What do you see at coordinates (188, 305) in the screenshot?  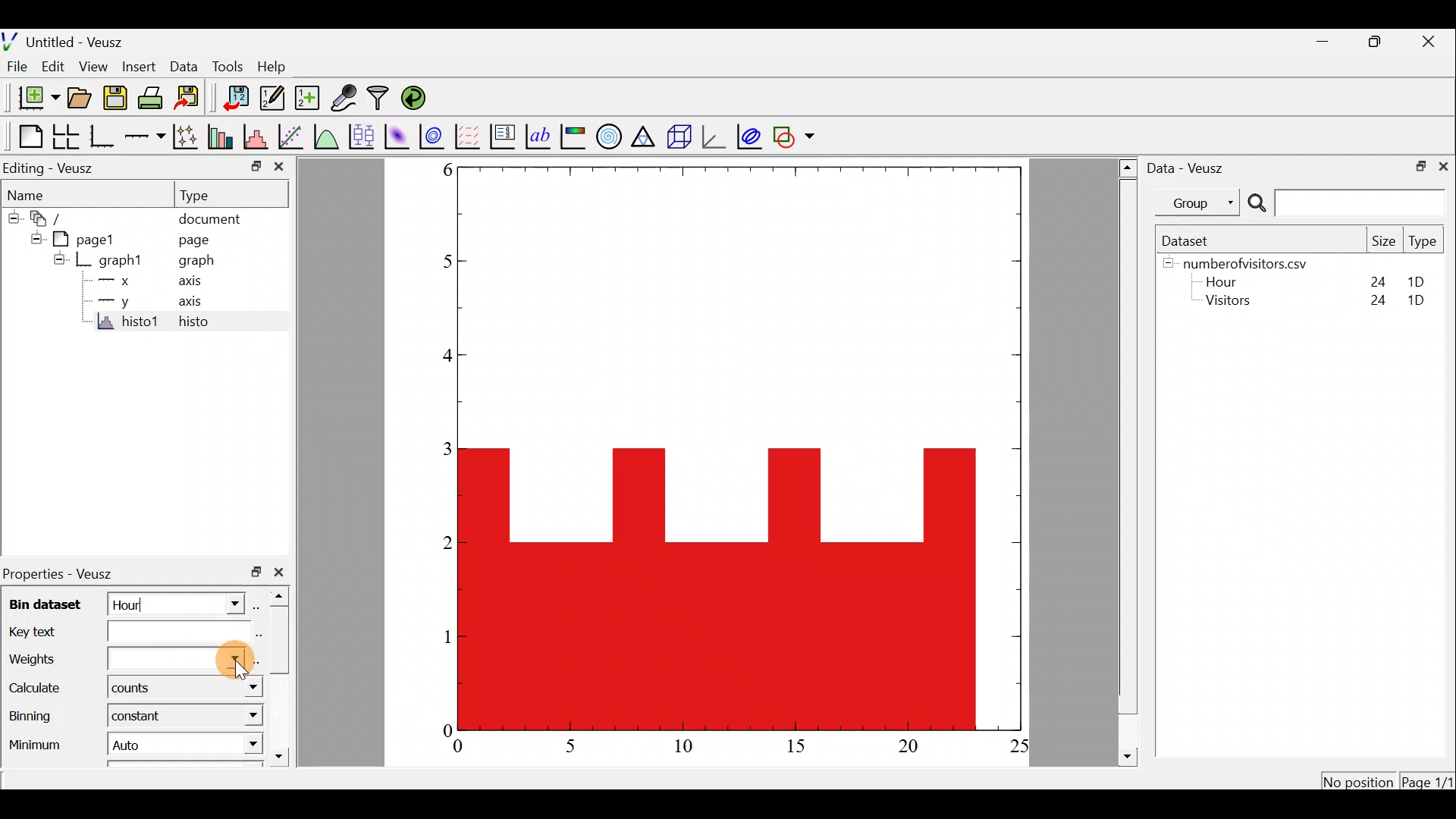 I see `axis` at bounding box center [188, 305].